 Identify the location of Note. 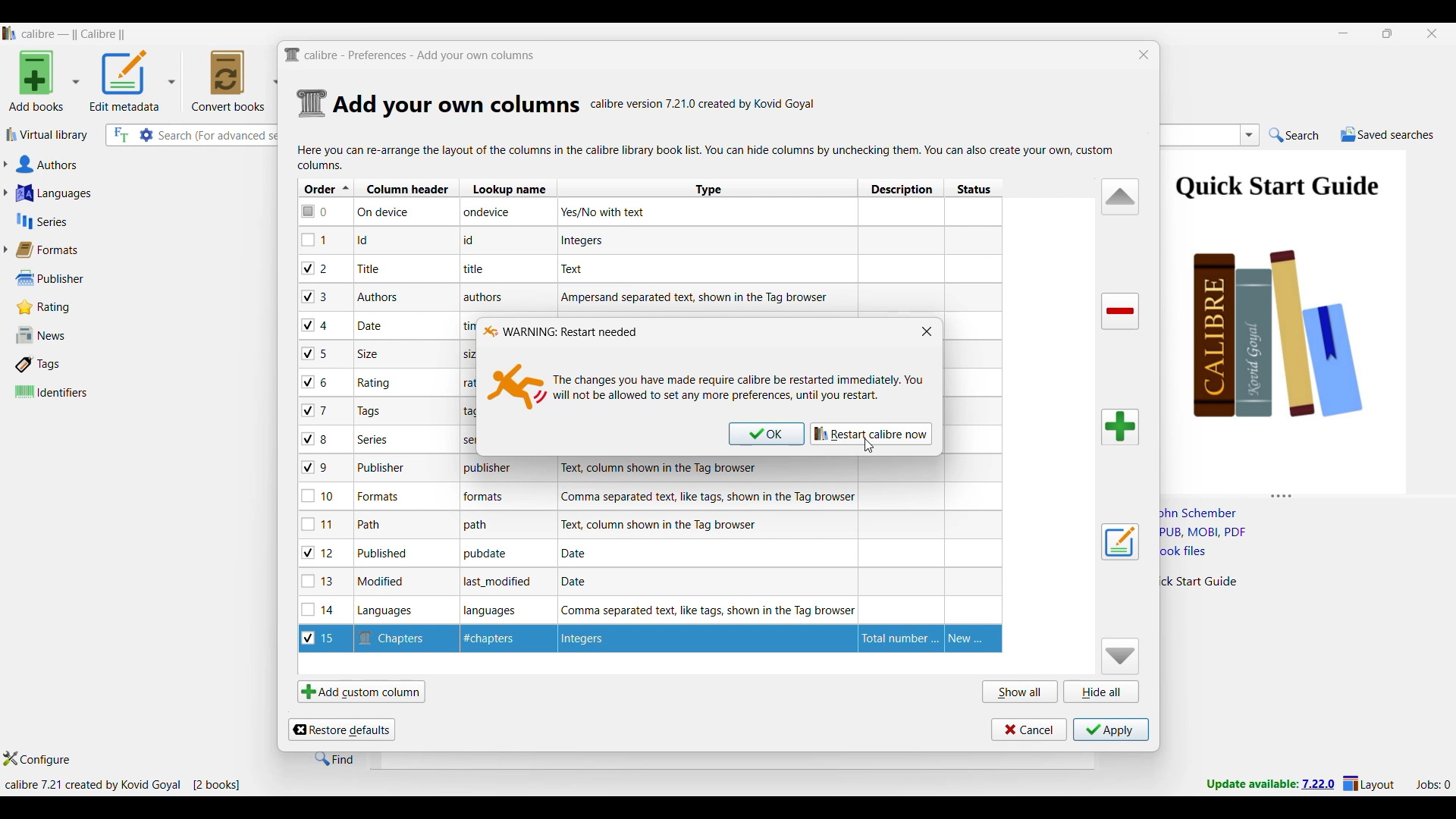
(375, 383).